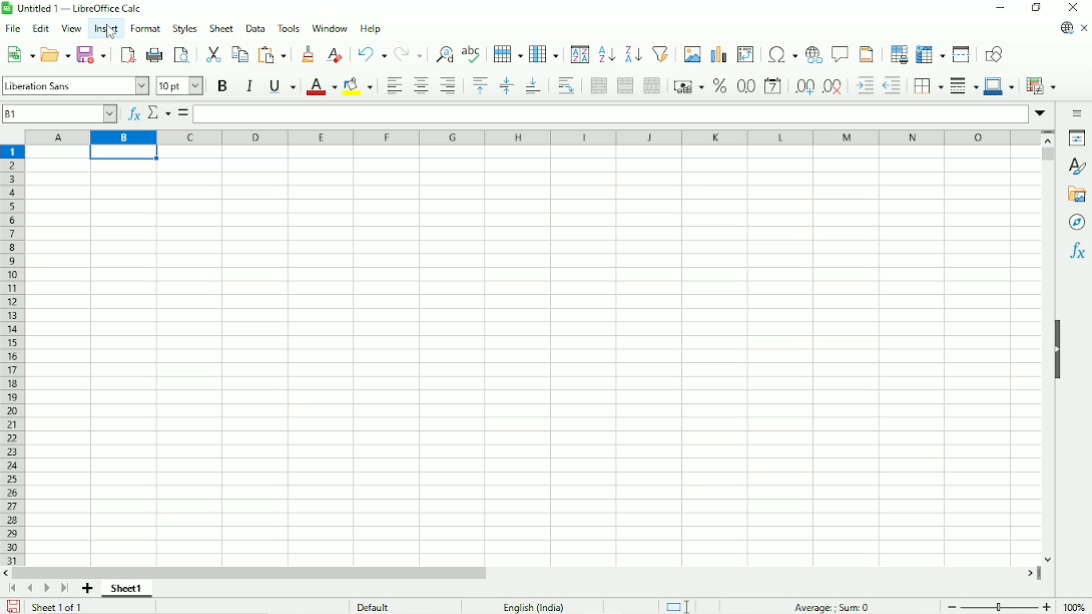 The width and height of the screenshot is (1092, 614). Describe the element at coordinates (13, 28) in the screenshot. I see `File` at that location.